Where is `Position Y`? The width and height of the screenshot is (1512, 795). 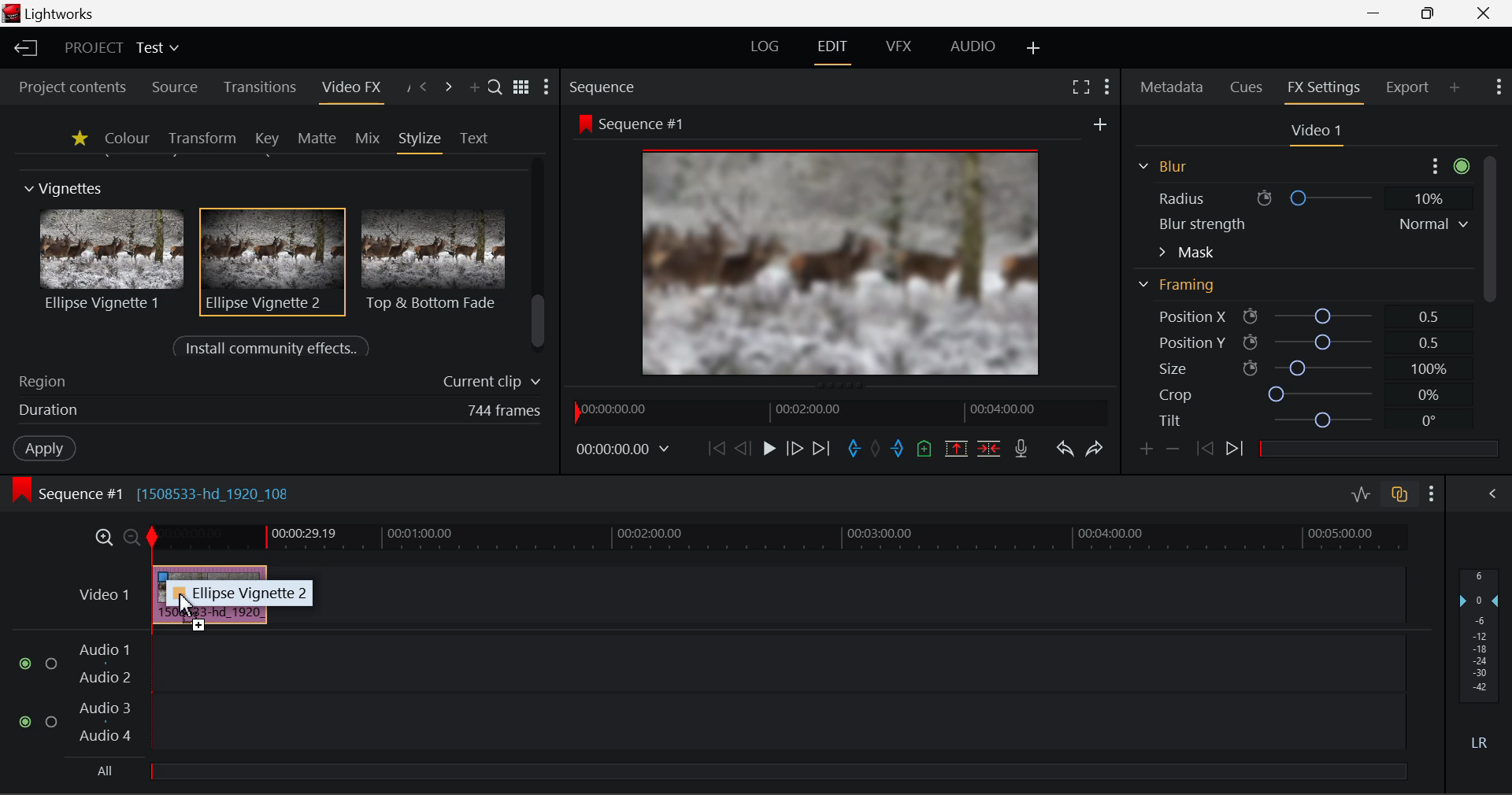
Position Y is located at coordinates (1296, 342).